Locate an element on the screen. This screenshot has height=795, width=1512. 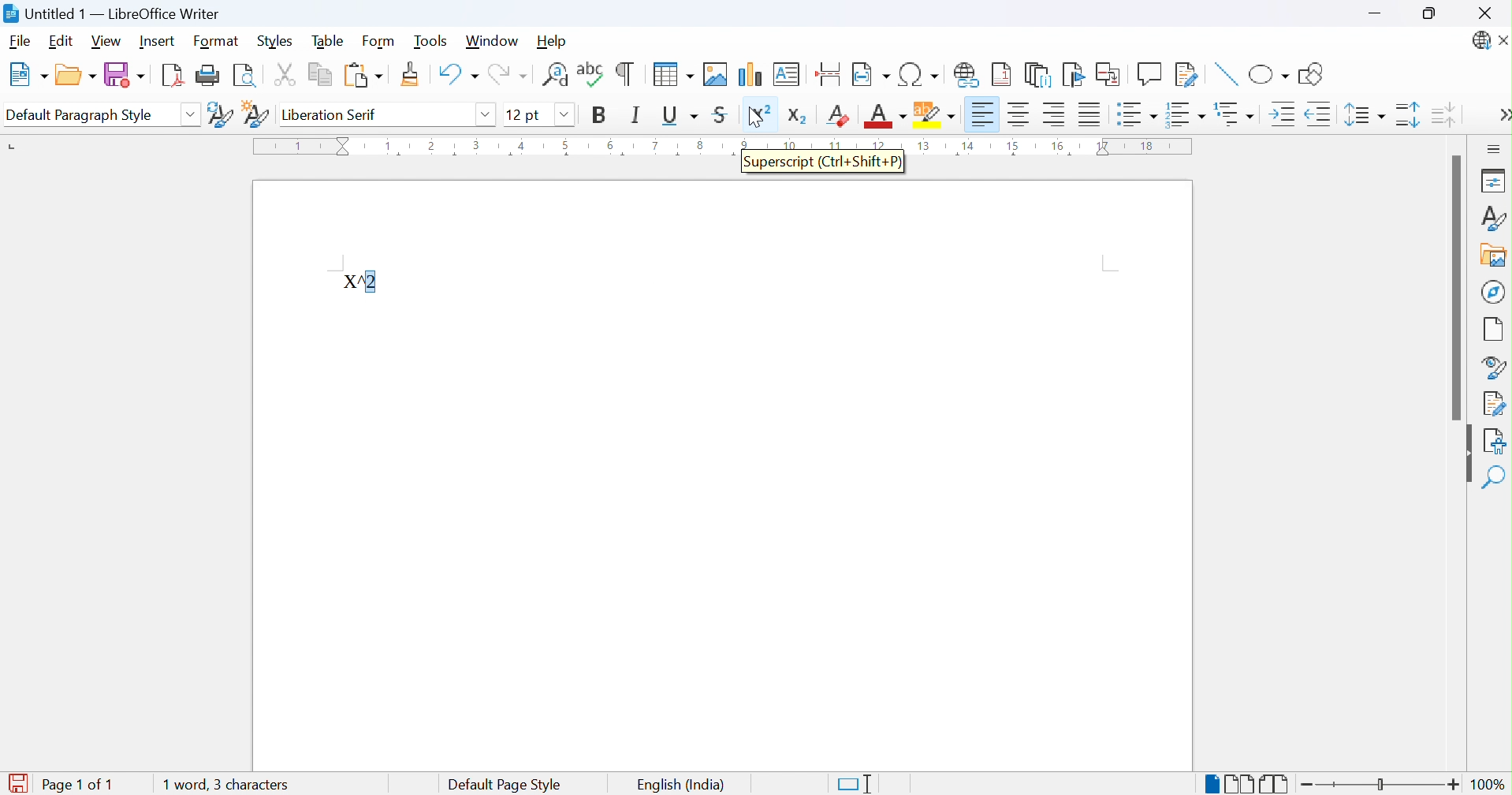
Liberation serif is located at coordinates (333, 114).